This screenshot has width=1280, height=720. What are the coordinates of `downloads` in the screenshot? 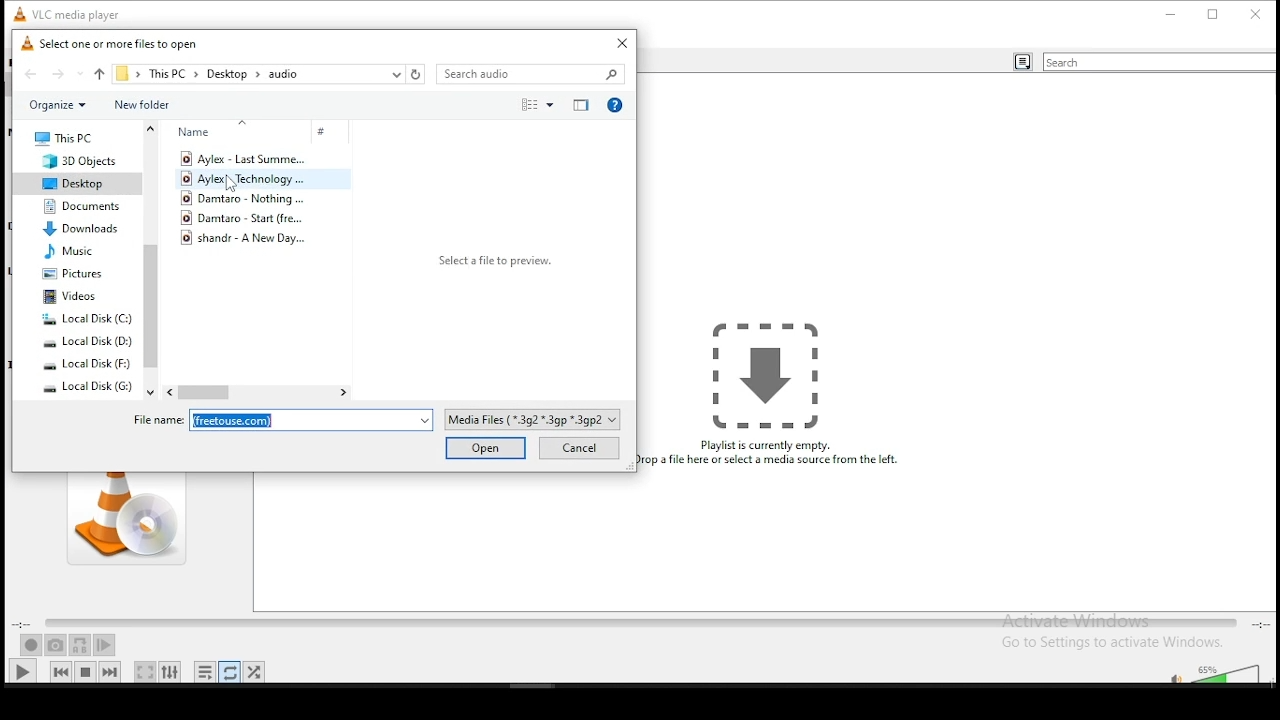 It's located at (80, 228).